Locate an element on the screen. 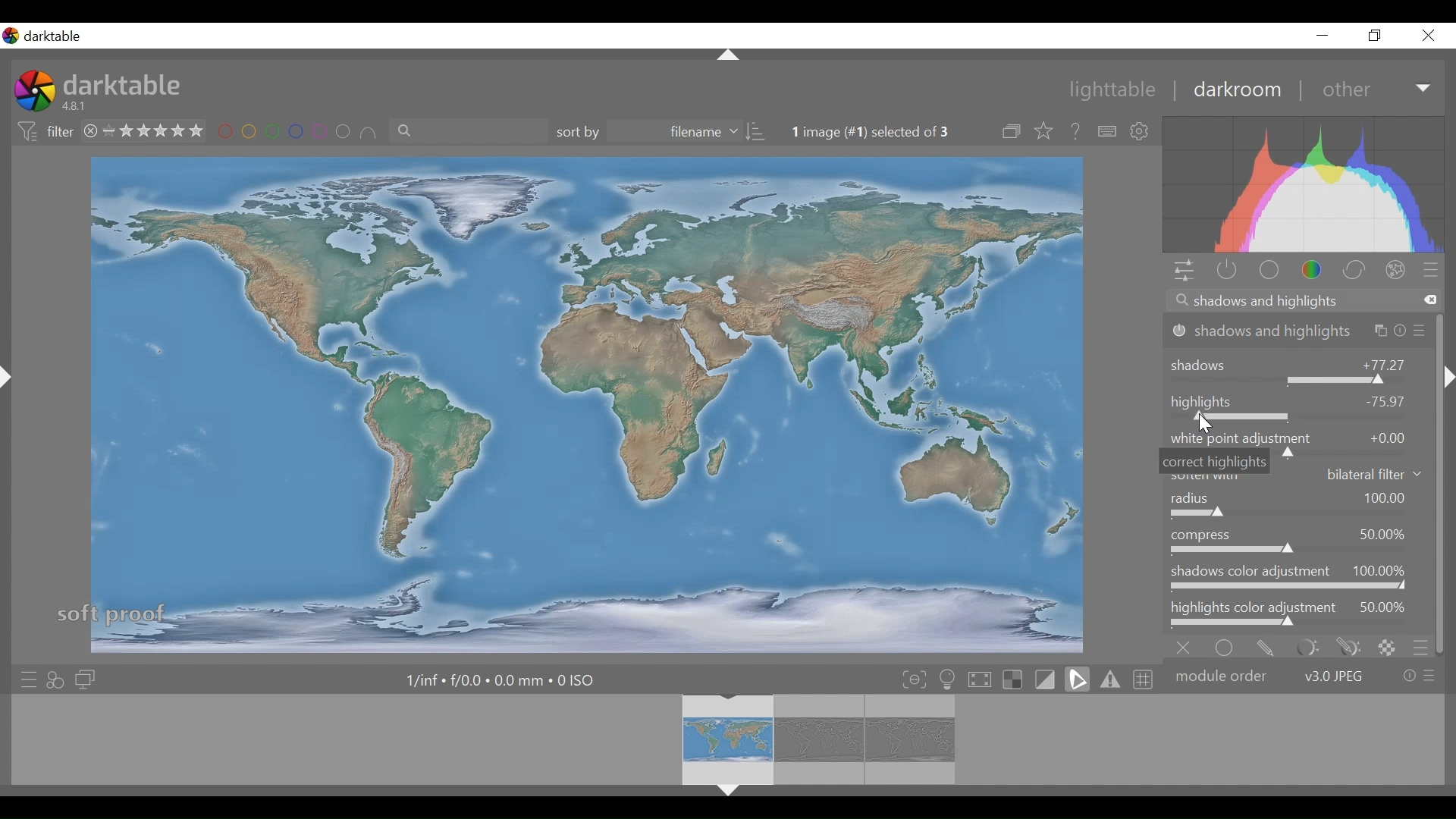 The image size is (1456, 819). quick acces panel is located at coordinates (1184, 271).